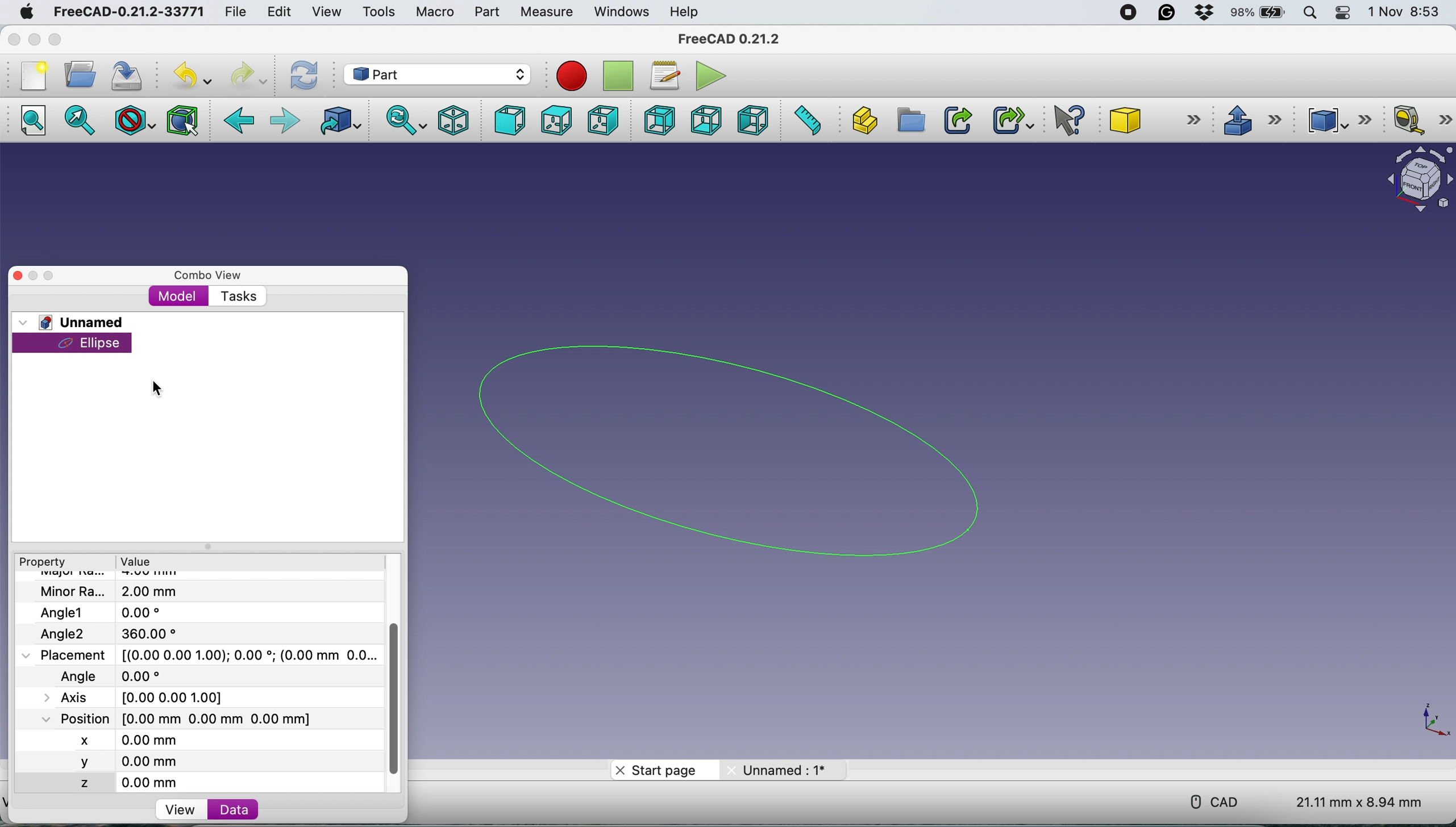  Describe the element at coordinates (181, 297) in the screenshot. I see `model` at that location.